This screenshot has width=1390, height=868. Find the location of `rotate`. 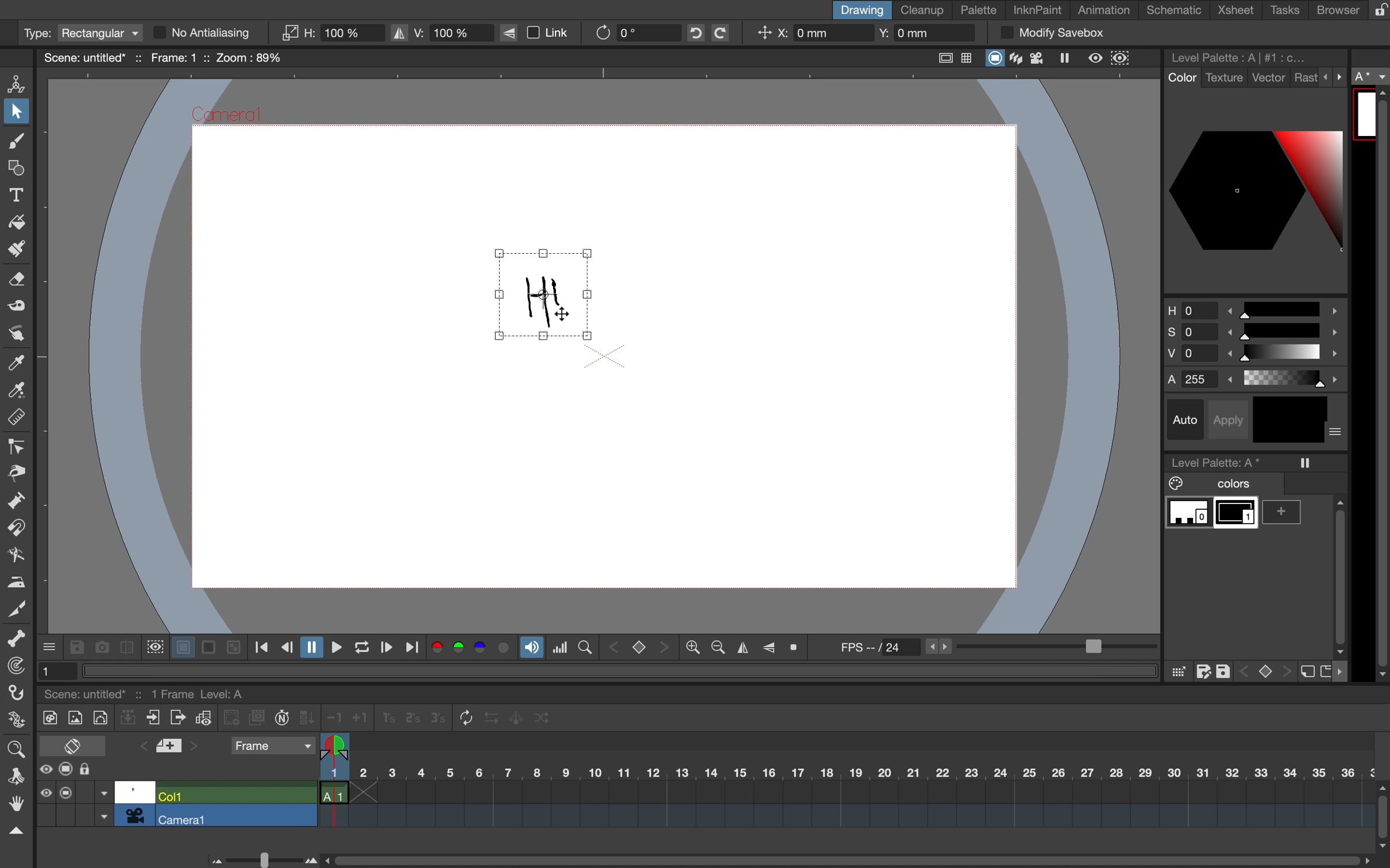

rotate is located at coordinates (628, 32).